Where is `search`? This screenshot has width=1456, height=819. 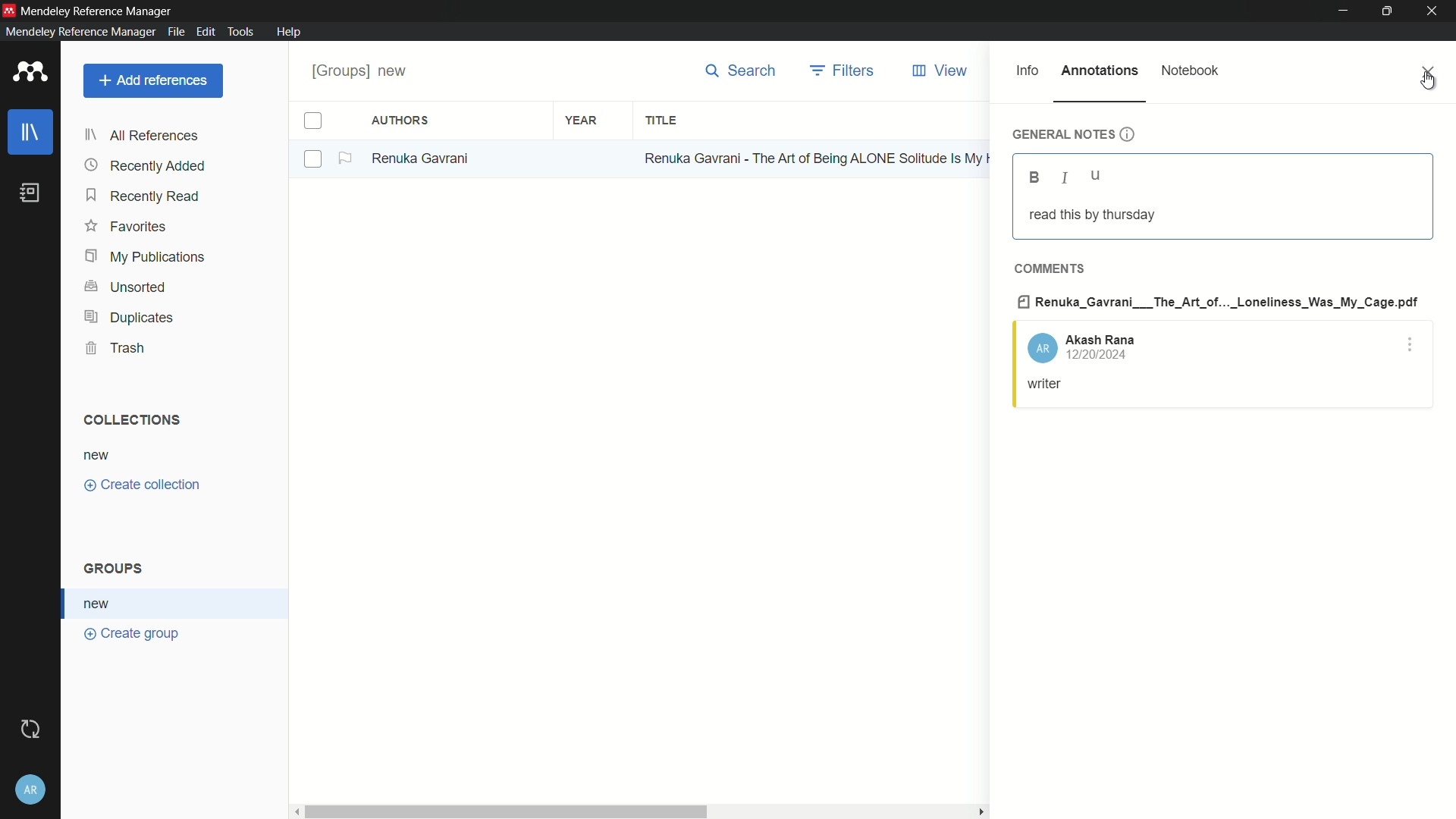 search is located at coordinates (740, 71).